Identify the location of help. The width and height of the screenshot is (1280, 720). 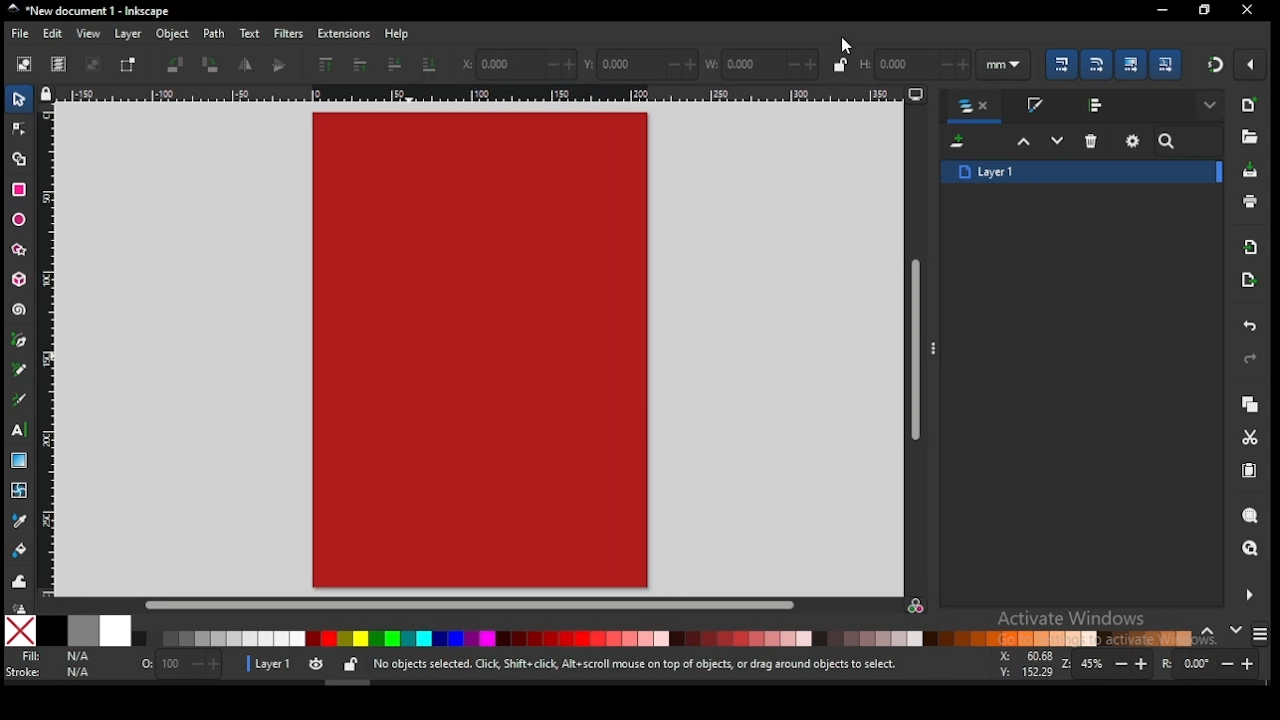
(400, 33).